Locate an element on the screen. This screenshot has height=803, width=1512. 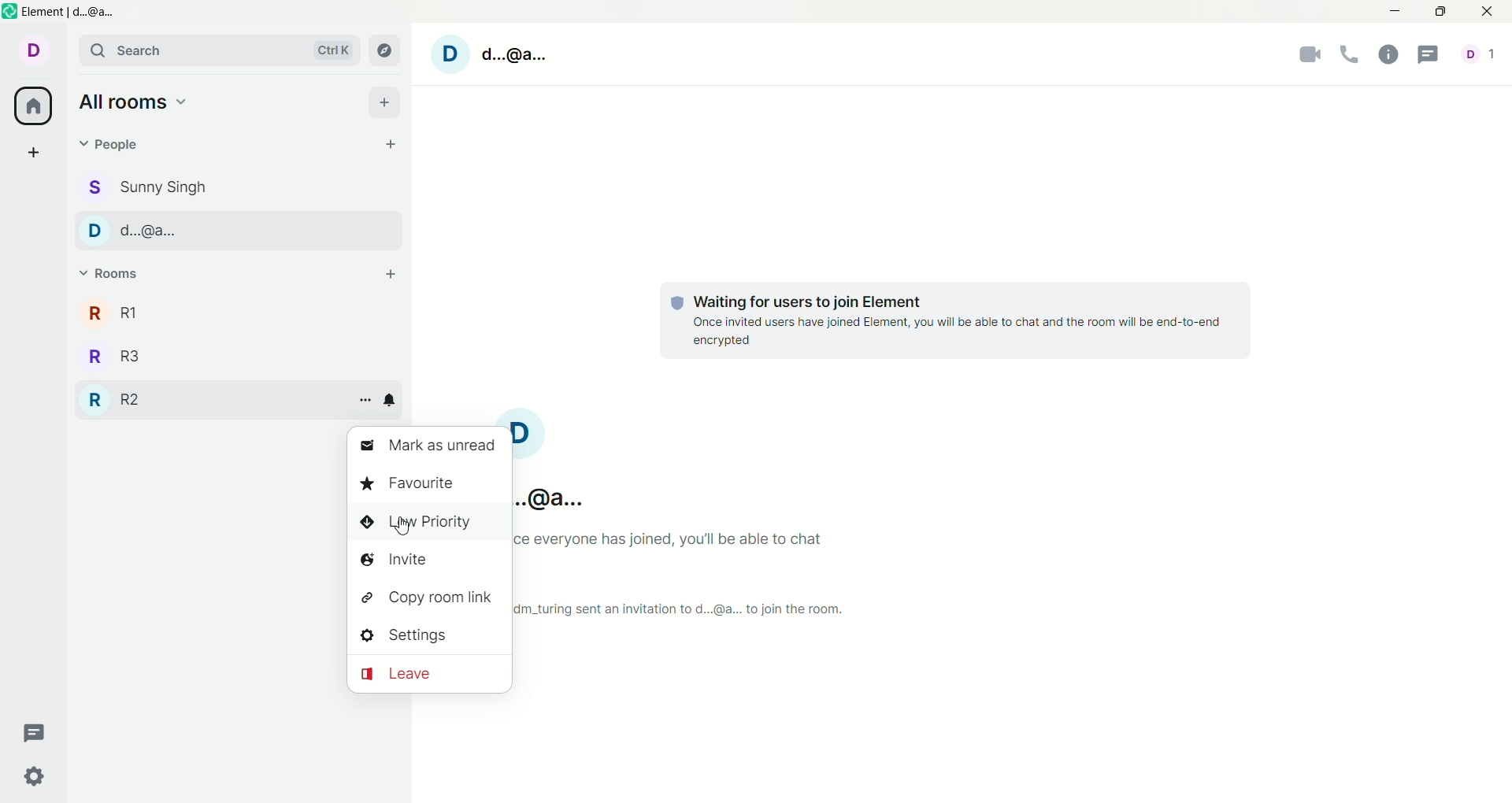
room 2 is located at coordinates (113, 400).